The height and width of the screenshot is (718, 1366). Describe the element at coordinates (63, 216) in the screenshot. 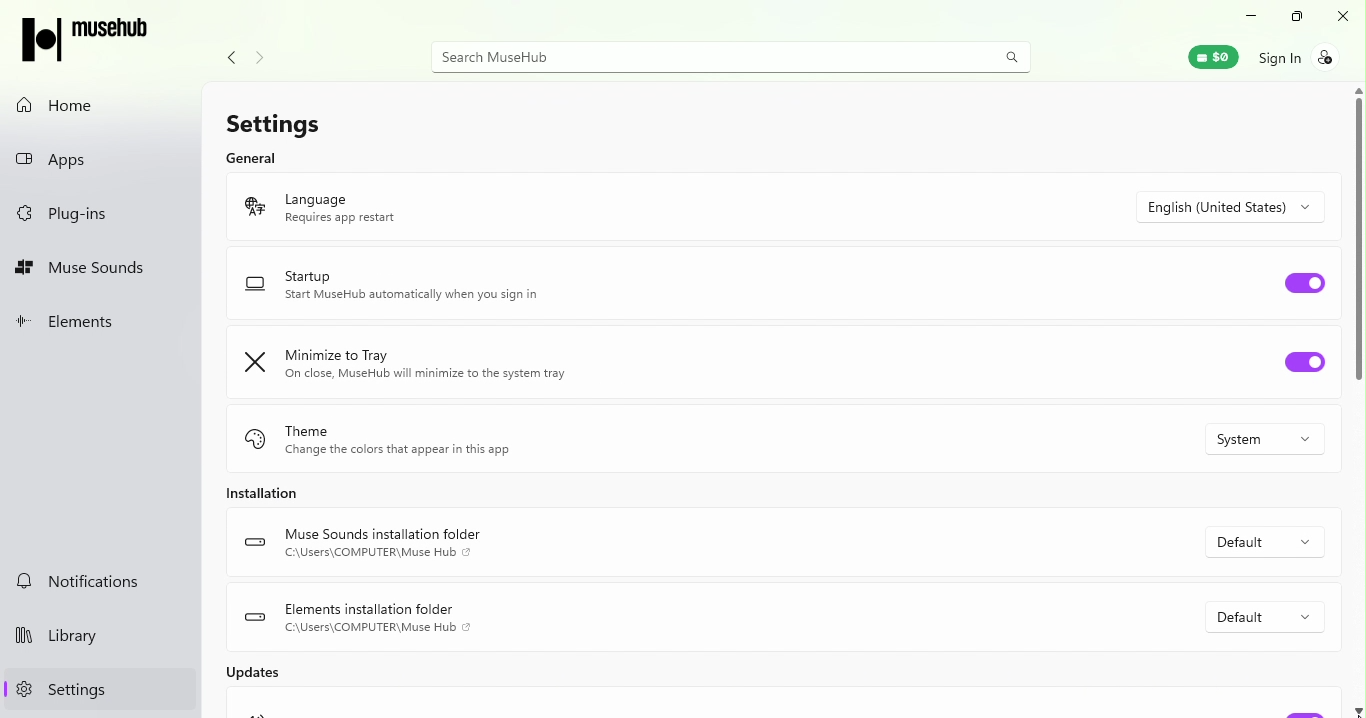

I see `Plug-ins` at that location.